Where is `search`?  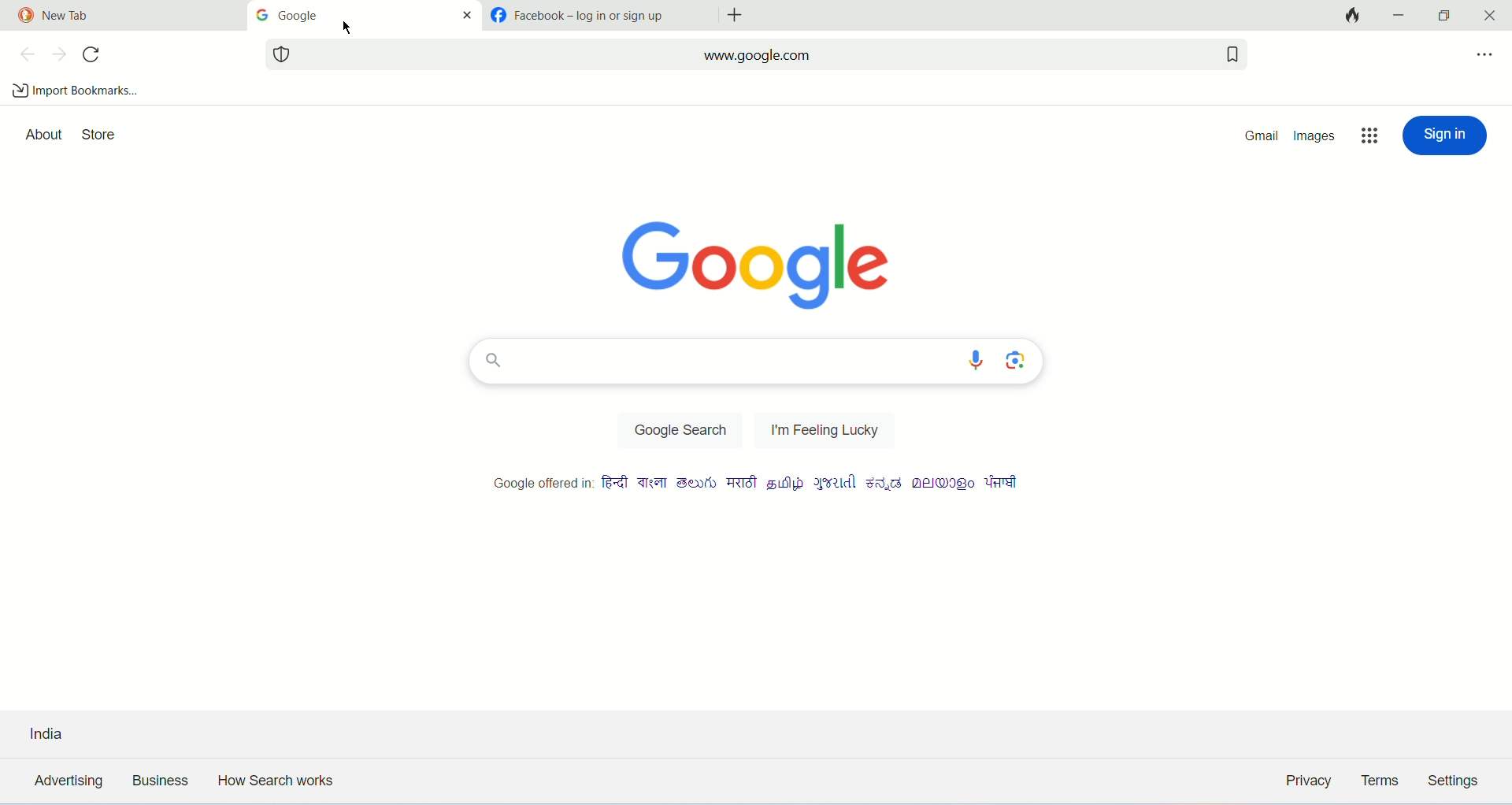
search is located at coordinates (754, 361).